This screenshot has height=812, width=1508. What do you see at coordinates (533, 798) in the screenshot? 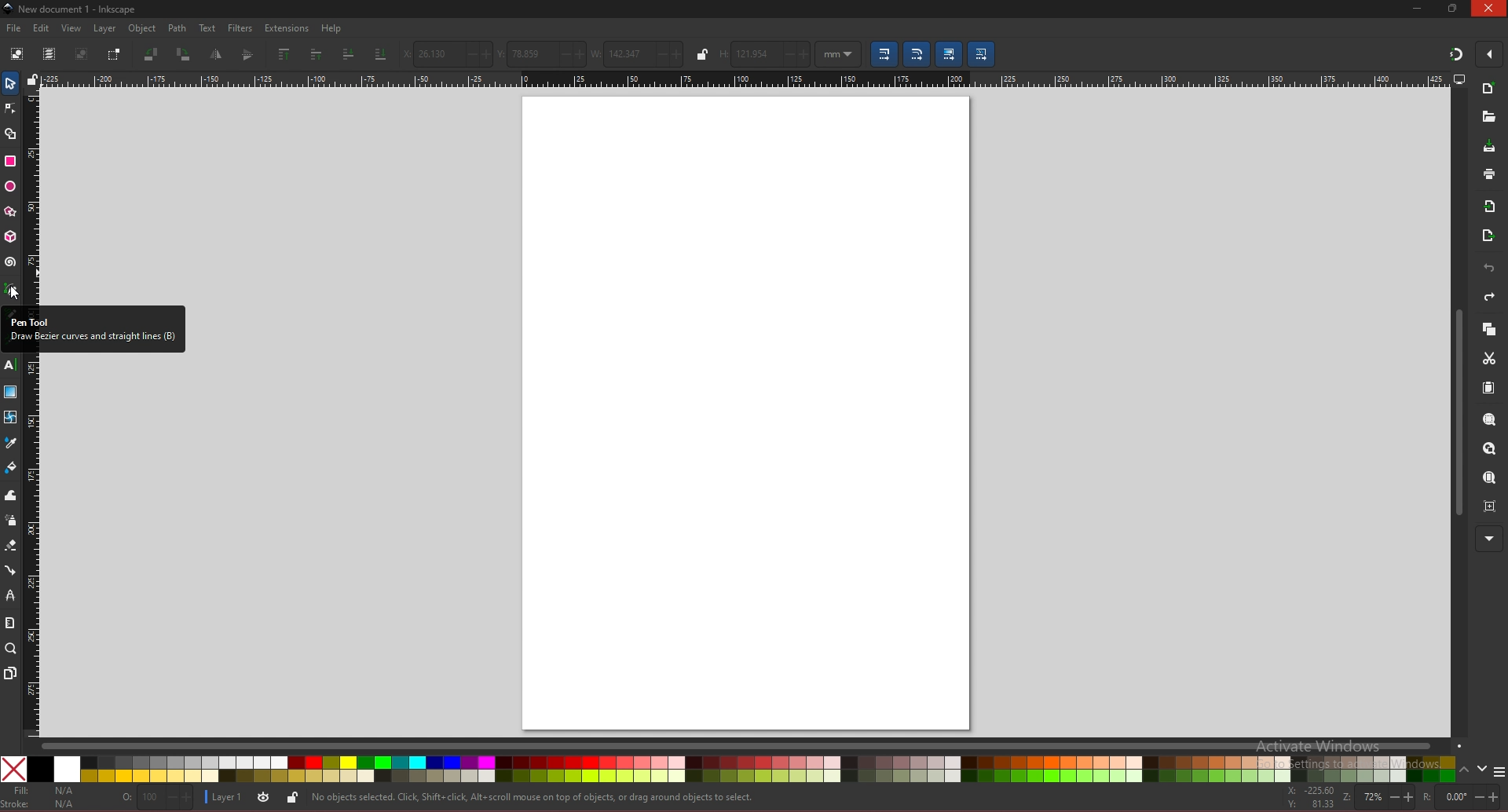
I see `info` at bounding box center [533, 798].